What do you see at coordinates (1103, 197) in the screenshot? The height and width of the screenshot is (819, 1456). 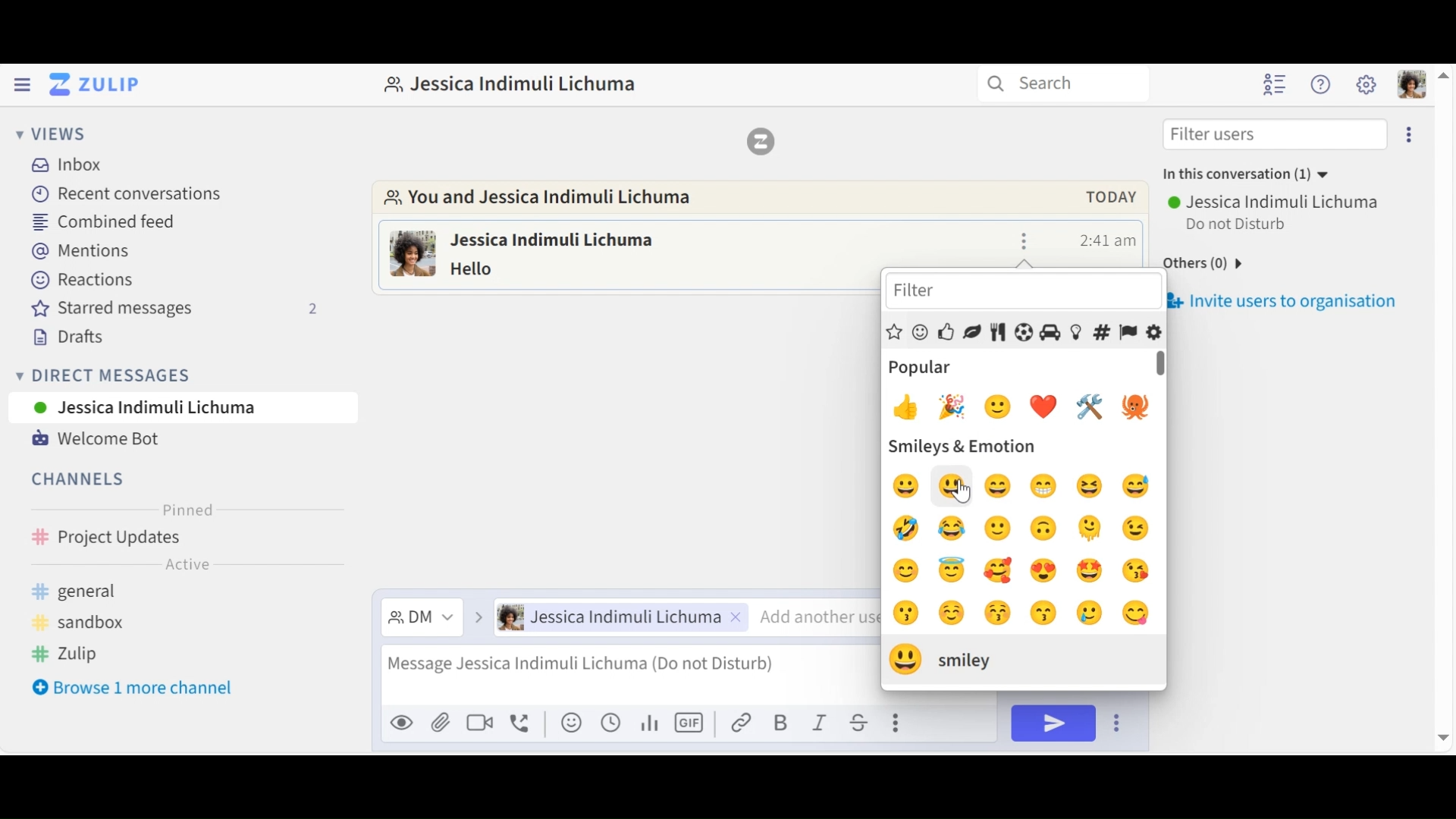 I see `today` at bounding box center [1103, 197].